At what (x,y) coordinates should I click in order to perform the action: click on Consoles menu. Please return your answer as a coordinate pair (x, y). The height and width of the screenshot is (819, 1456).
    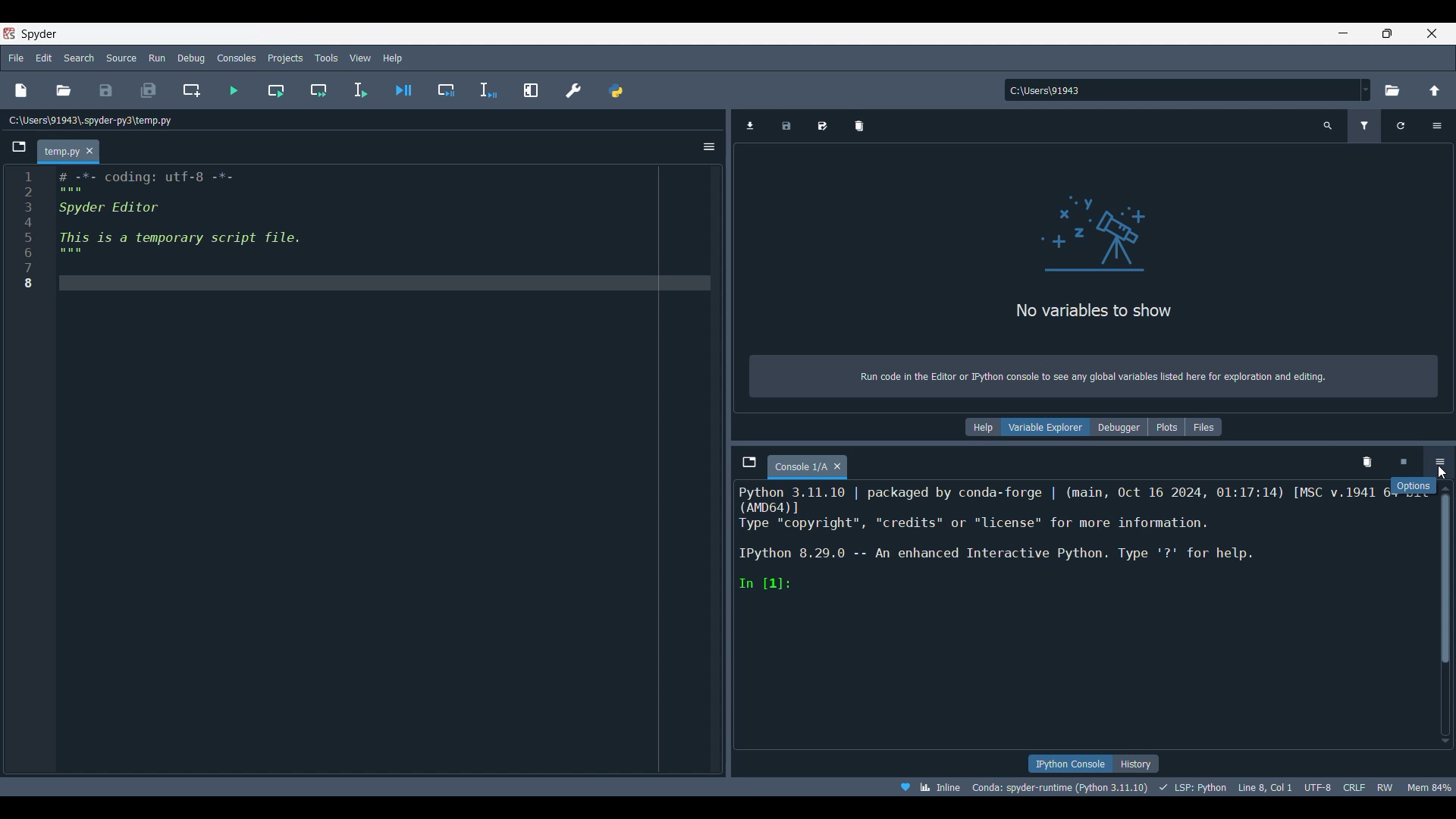
    Looking at the image, I should click on (237, 57).